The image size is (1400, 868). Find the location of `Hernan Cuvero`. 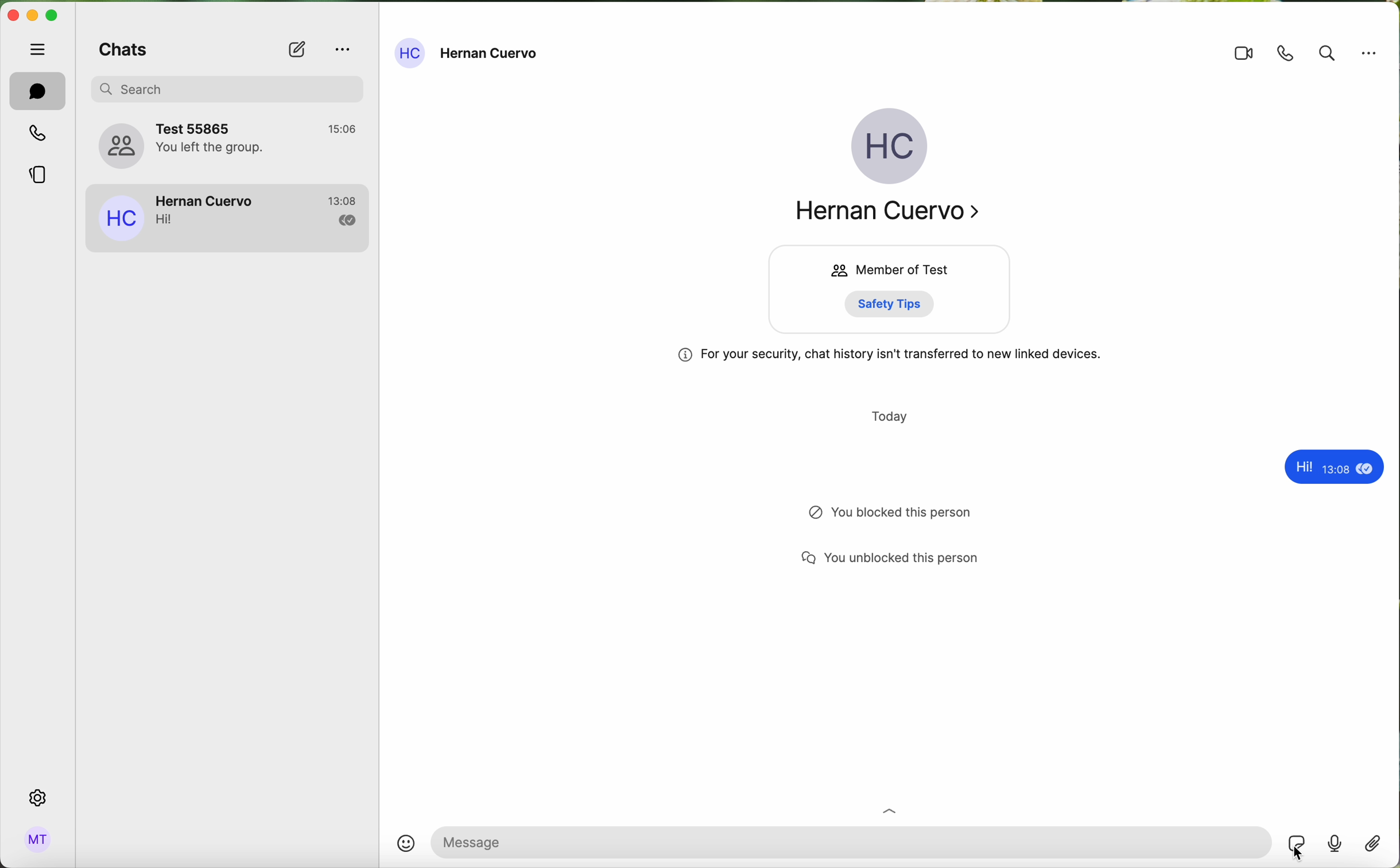

Hernan Cuvero is located at coordinates (893, 214).